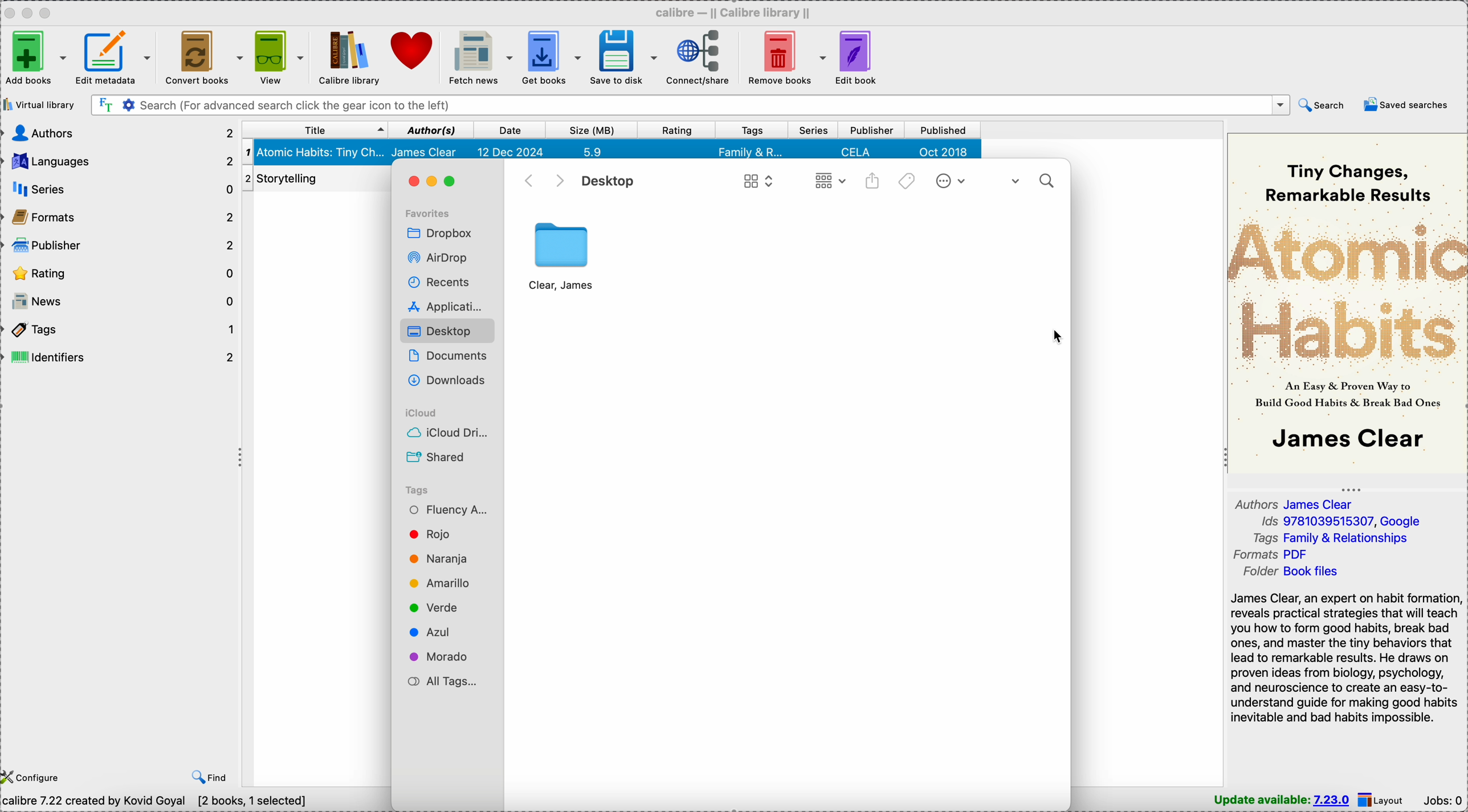  Describe the element at coordinates (441, 259) in the screenshot. I see `AirDrop` at that location.